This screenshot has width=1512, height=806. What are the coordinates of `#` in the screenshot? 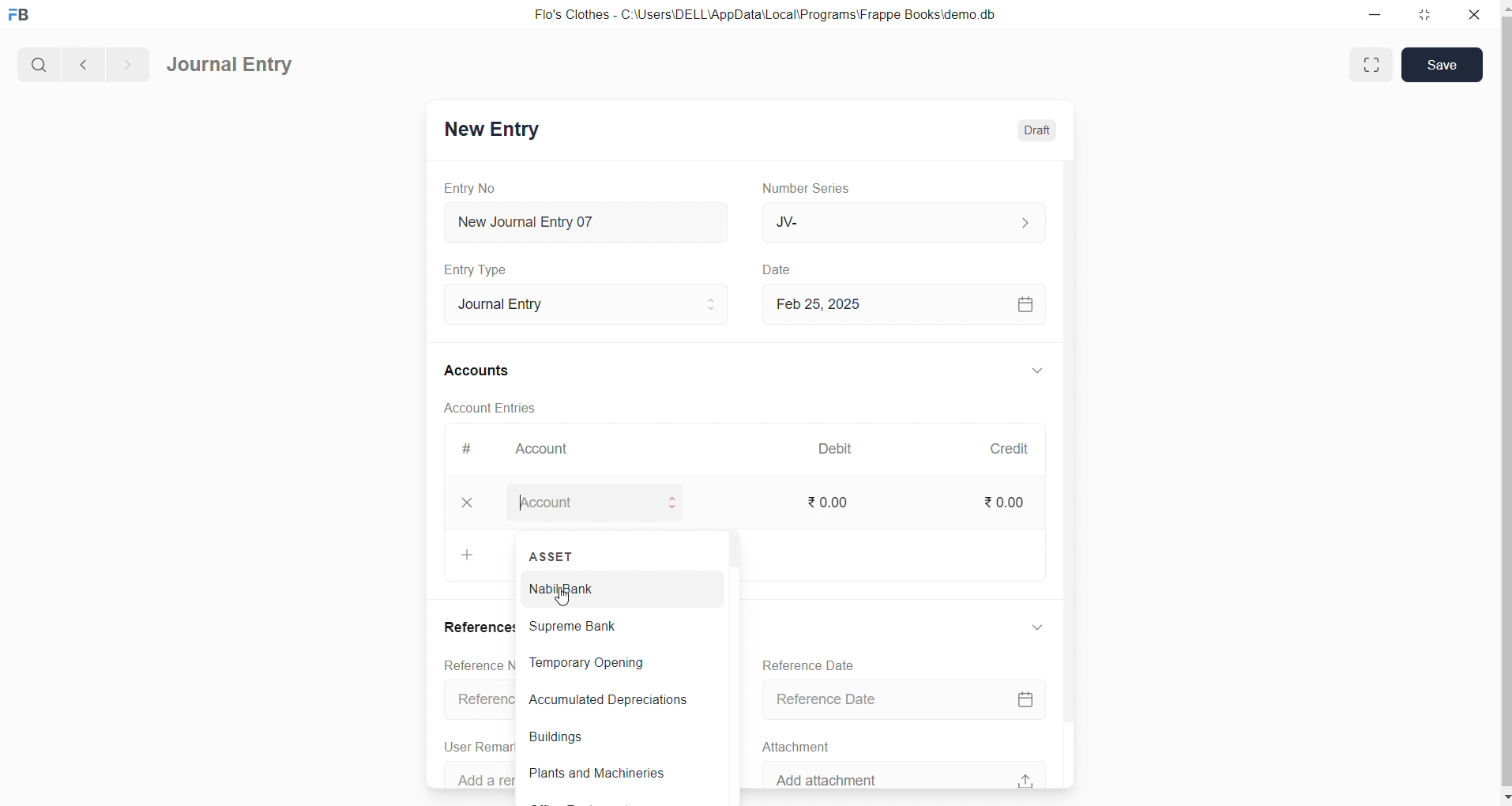 It's located at (473, 449).